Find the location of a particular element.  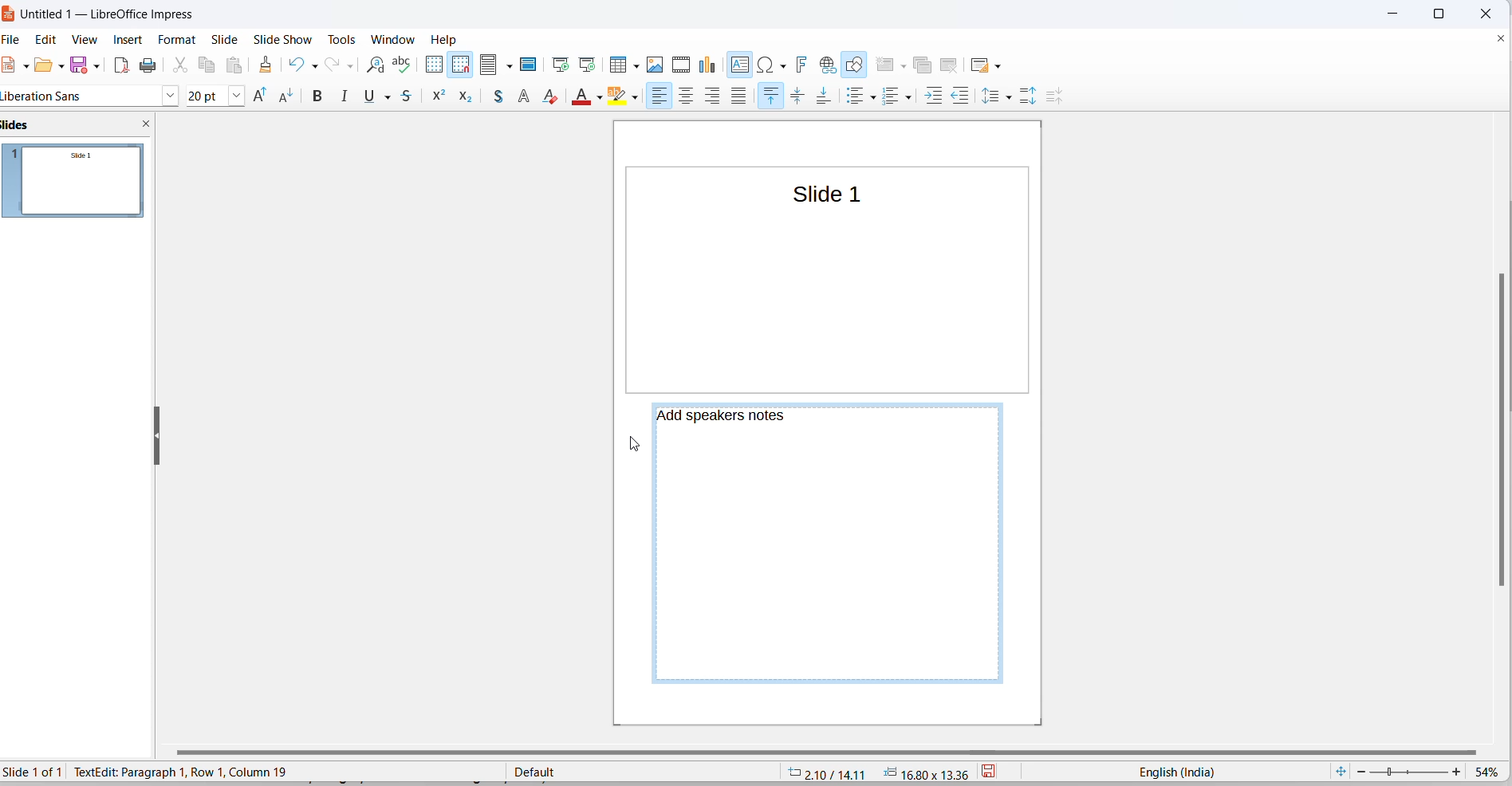

find and replace is located at coordinates (375, 65).